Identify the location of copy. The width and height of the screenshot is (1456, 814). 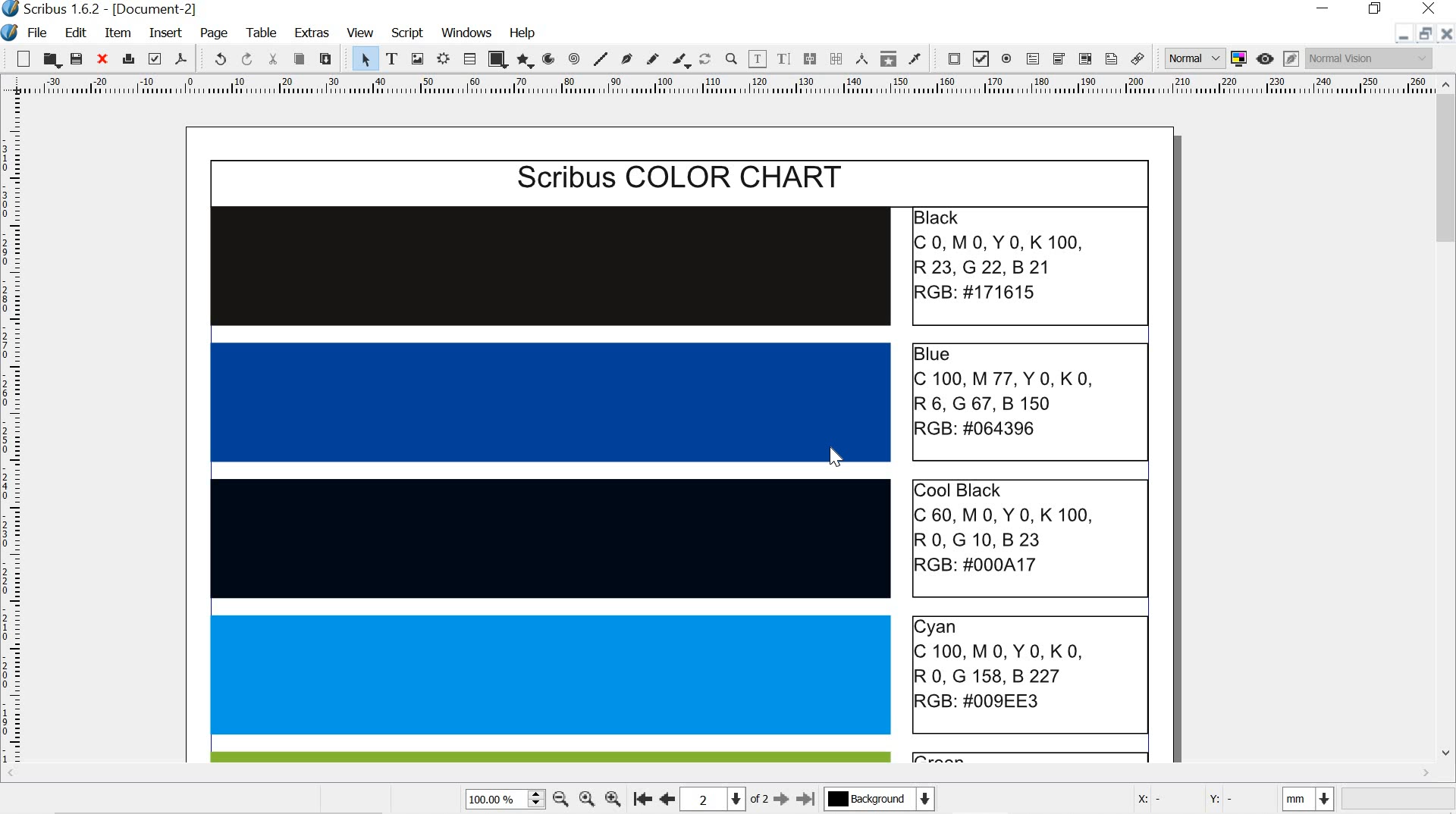
(299, 59).